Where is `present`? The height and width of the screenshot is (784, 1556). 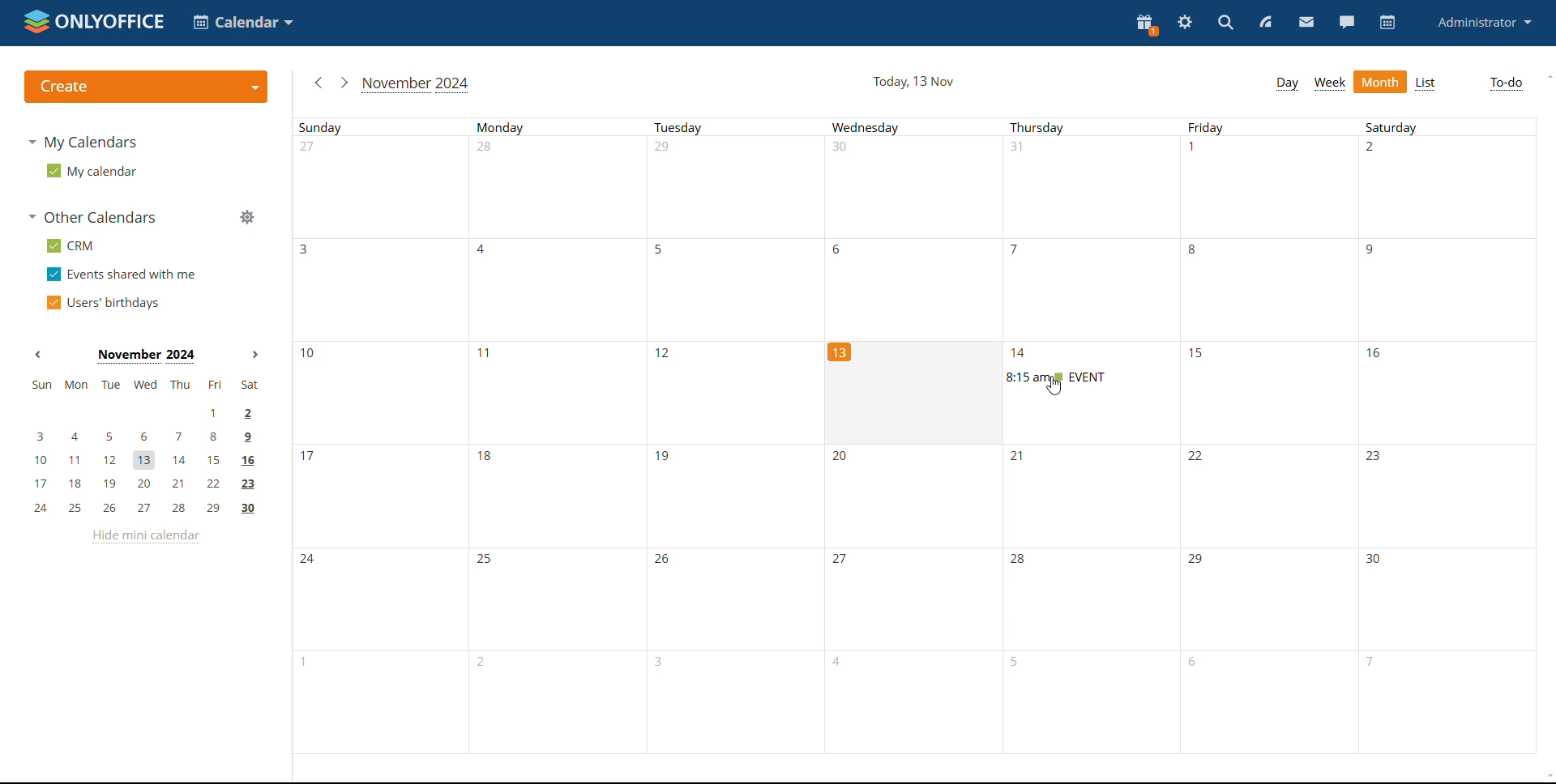 present is located at coordinates (1145, 26).